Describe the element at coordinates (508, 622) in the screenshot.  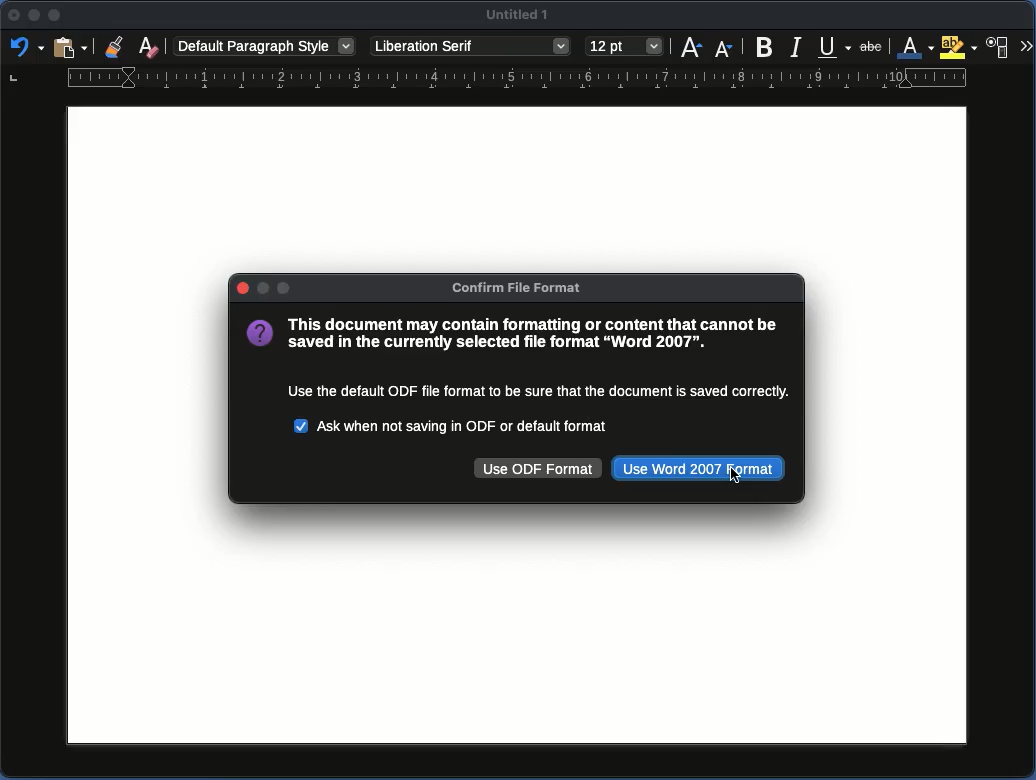
I see `Page` at that location.